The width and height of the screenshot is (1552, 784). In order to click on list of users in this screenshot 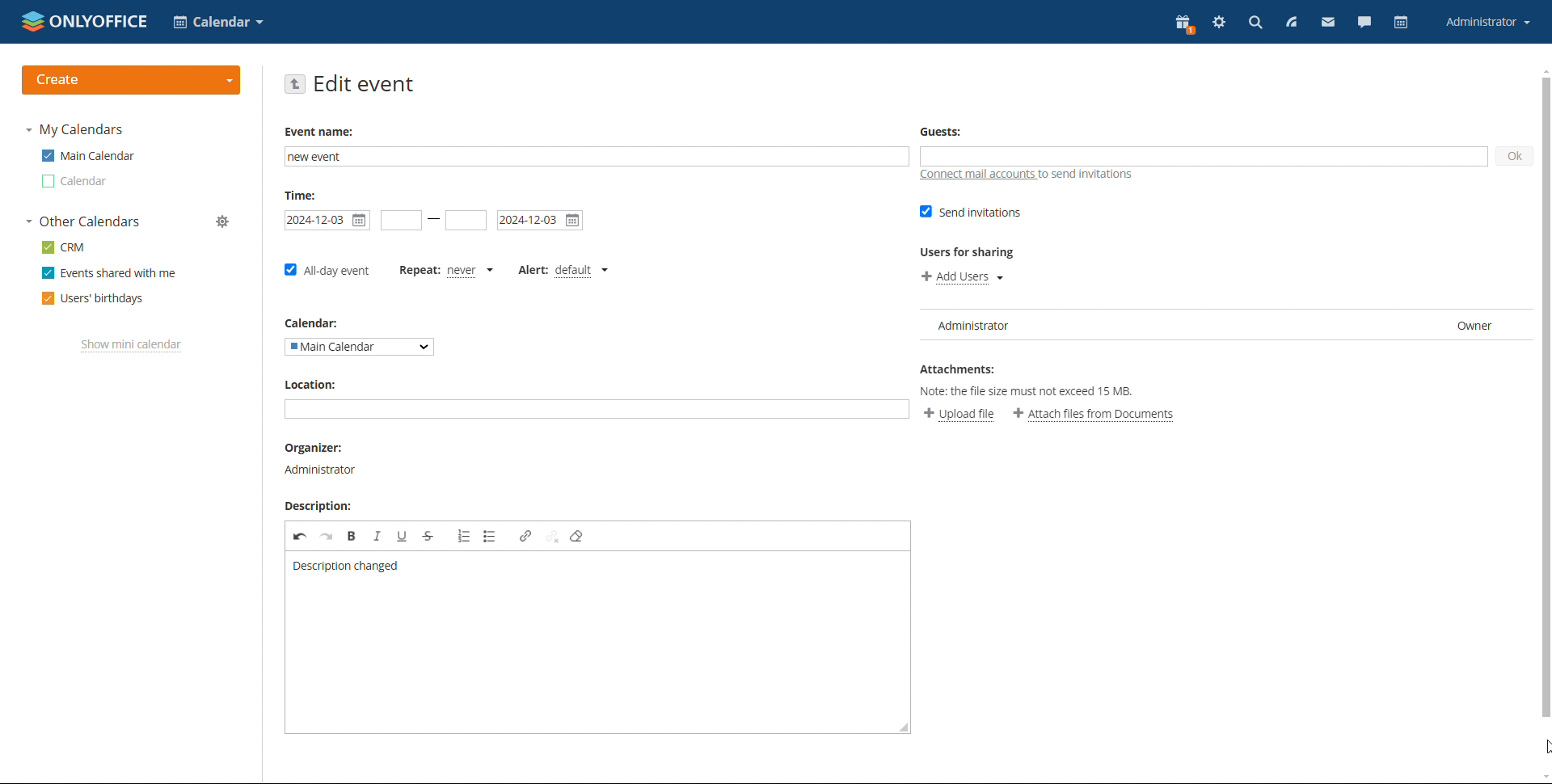, I will do `click(1226, 326)`.